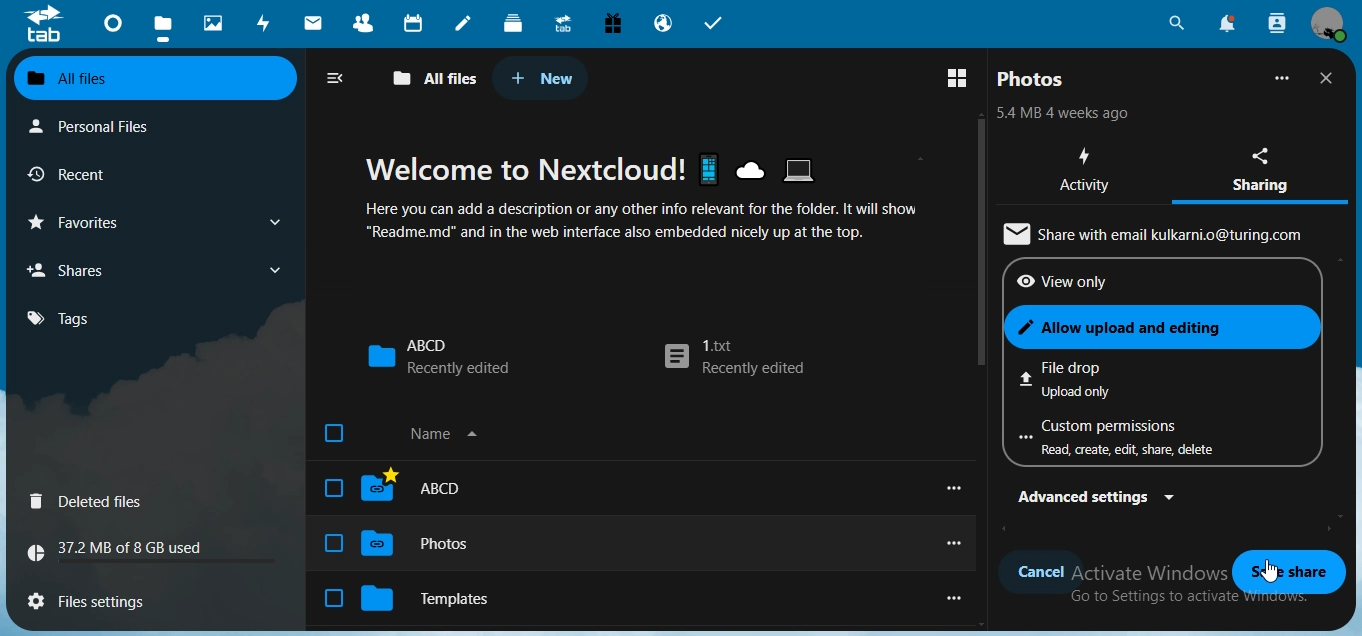  What do you see at coordinates (410, 437) in the screenshot?
I see `name` at bounding box center [410, 437].